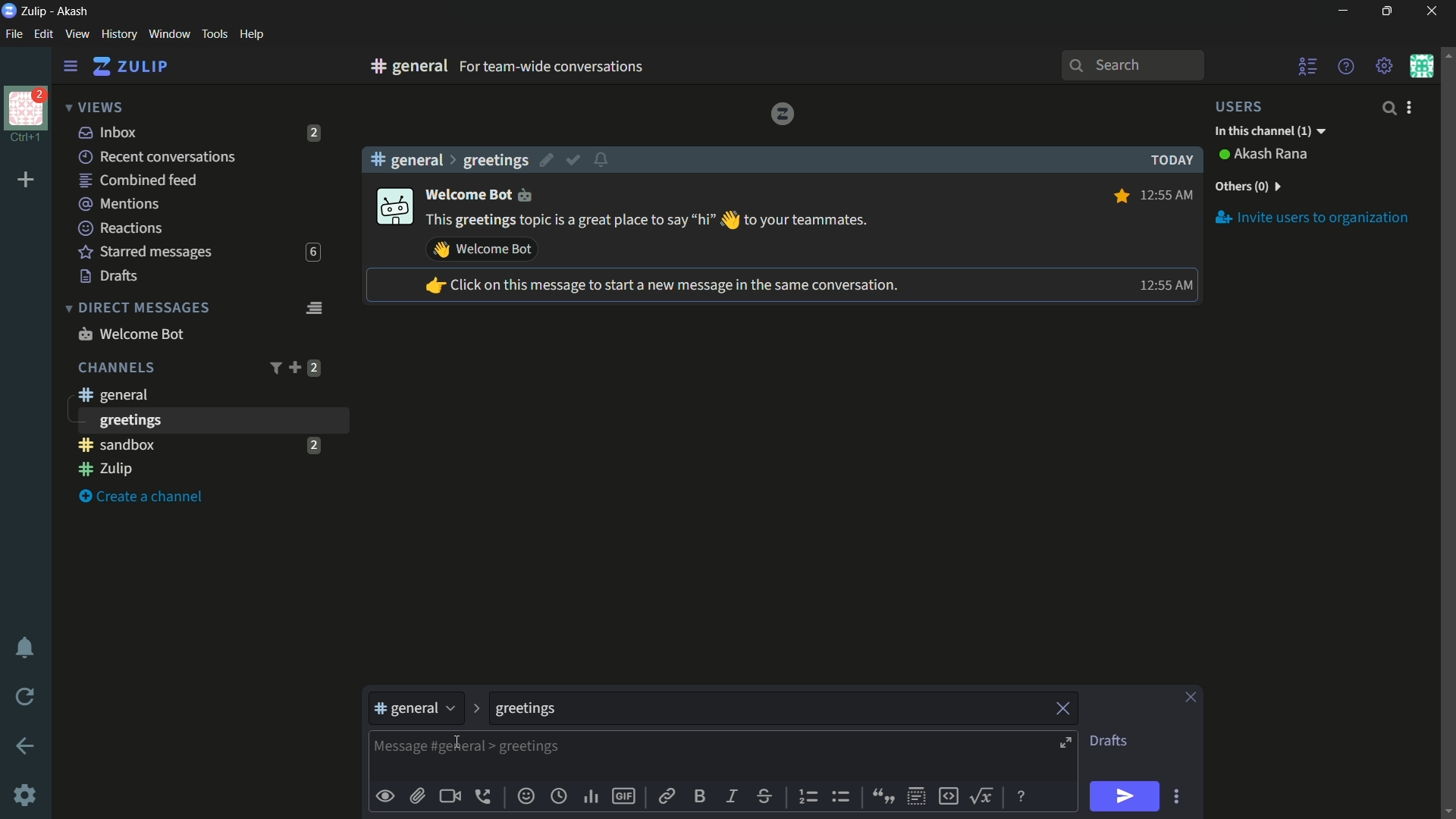 The image size is (1456, 819). I want to click on , so click(386, 796).